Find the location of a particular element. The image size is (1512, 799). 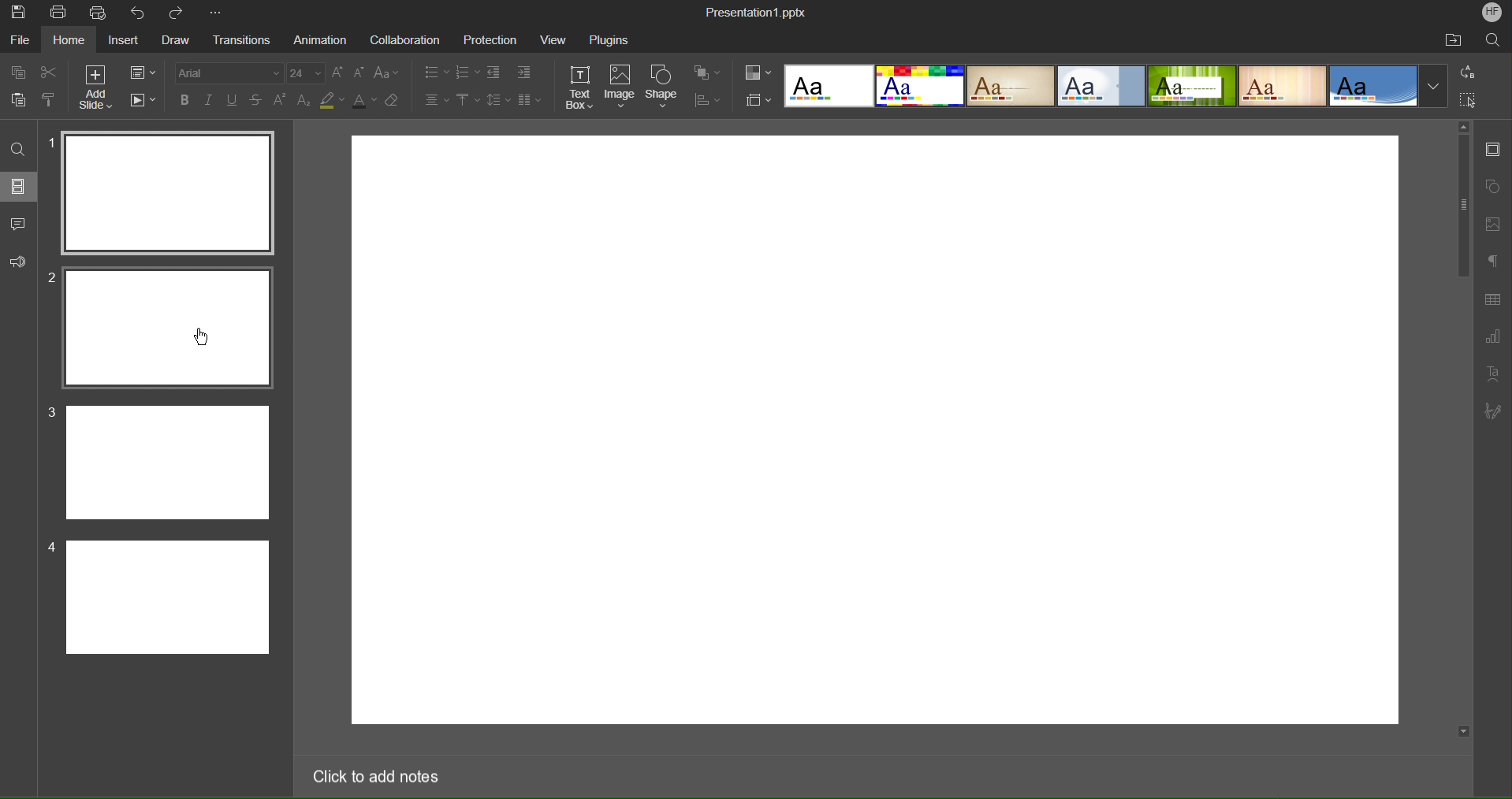

scroll down is located at coordinates (1462, 732).